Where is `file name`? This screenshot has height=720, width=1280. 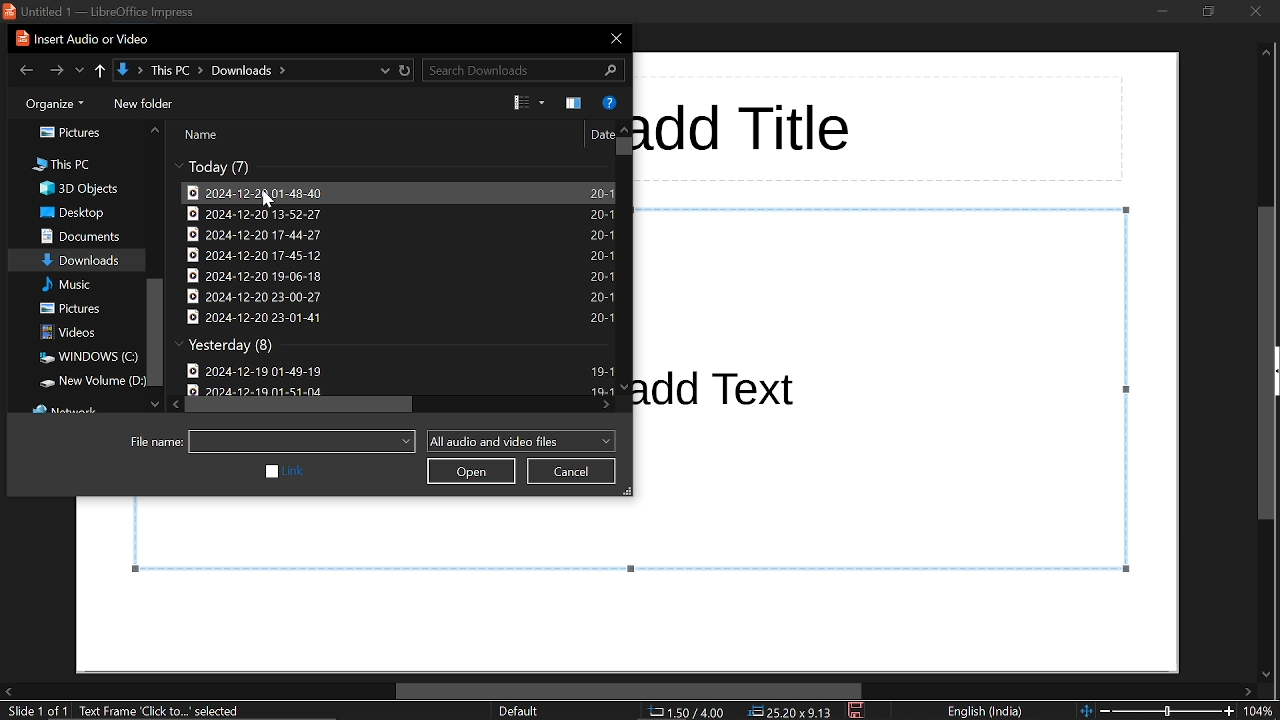
file name is located at coordinates (302, 442).